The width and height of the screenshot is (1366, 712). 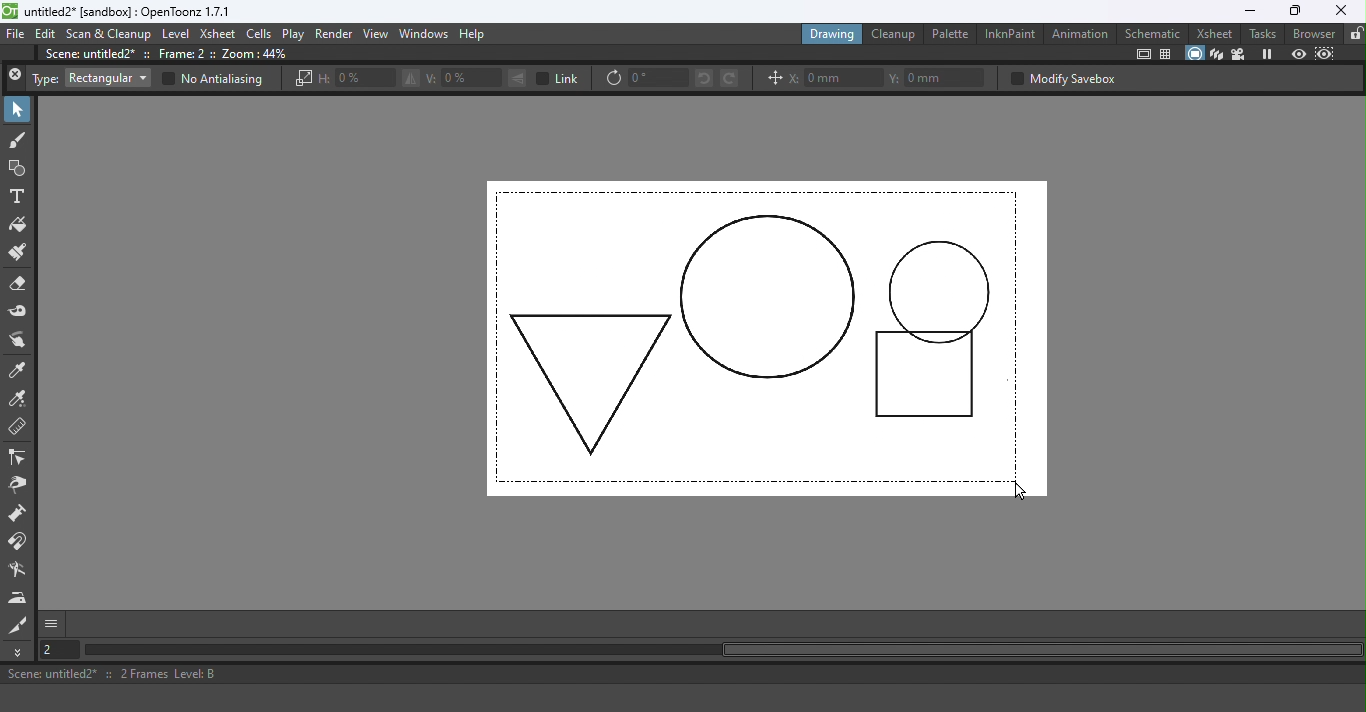 I want to click on Preview, so click(x=1298, y=53).